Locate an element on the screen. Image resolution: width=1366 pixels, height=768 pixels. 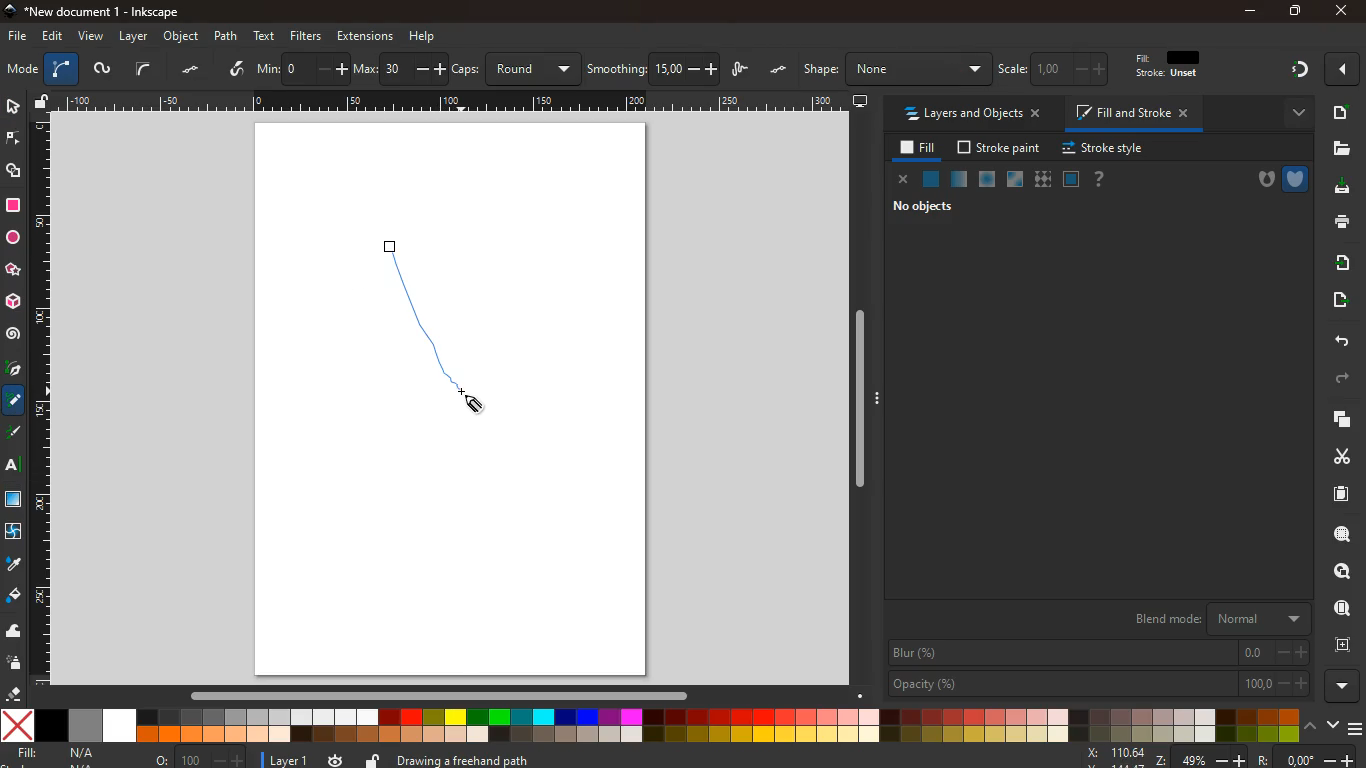
fill: N/A is located at coordinates (57, 753).